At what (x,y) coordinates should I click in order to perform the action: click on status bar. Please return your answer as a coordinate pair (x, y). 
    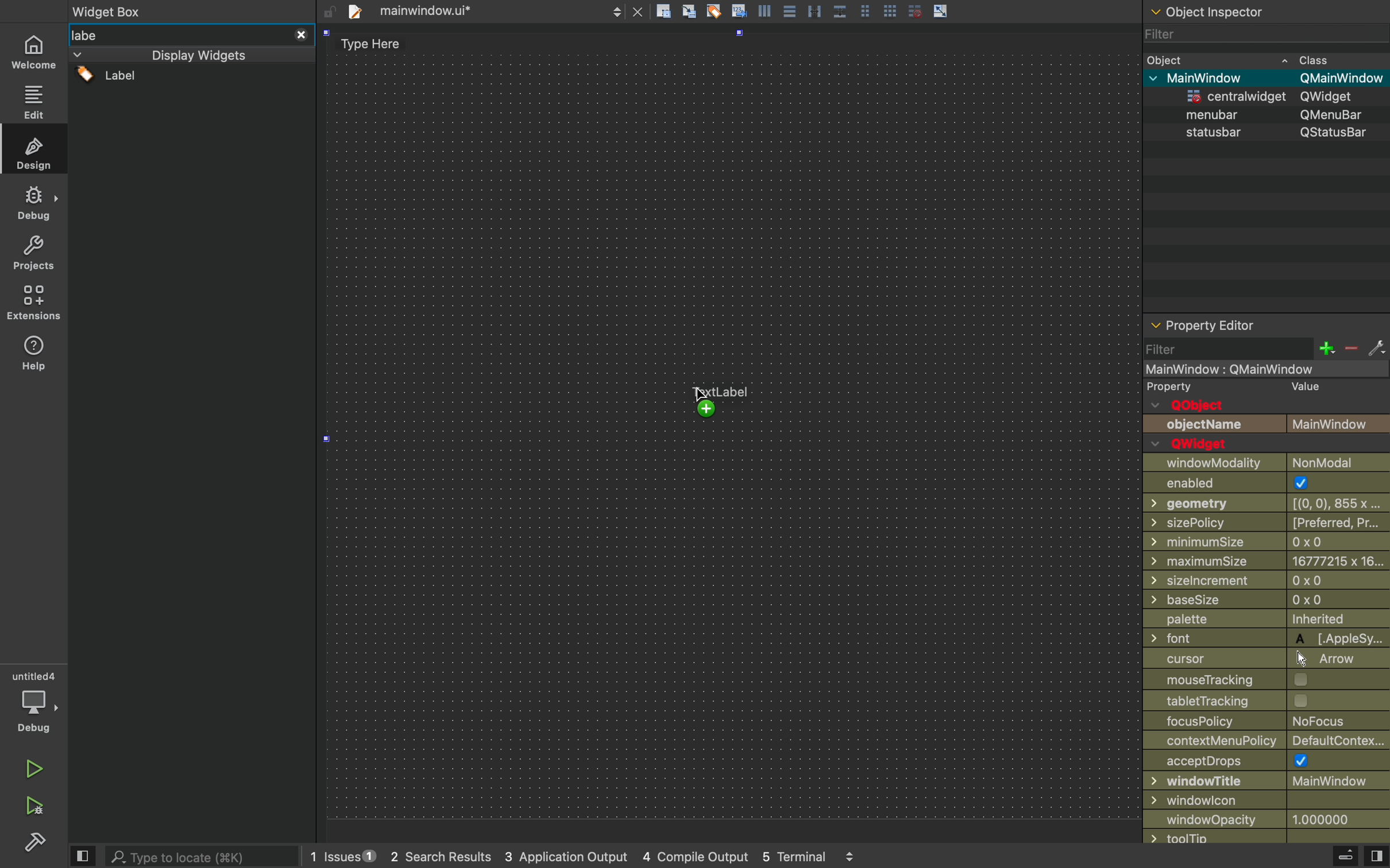
    Looking at the image, I should click on (1267, 133).